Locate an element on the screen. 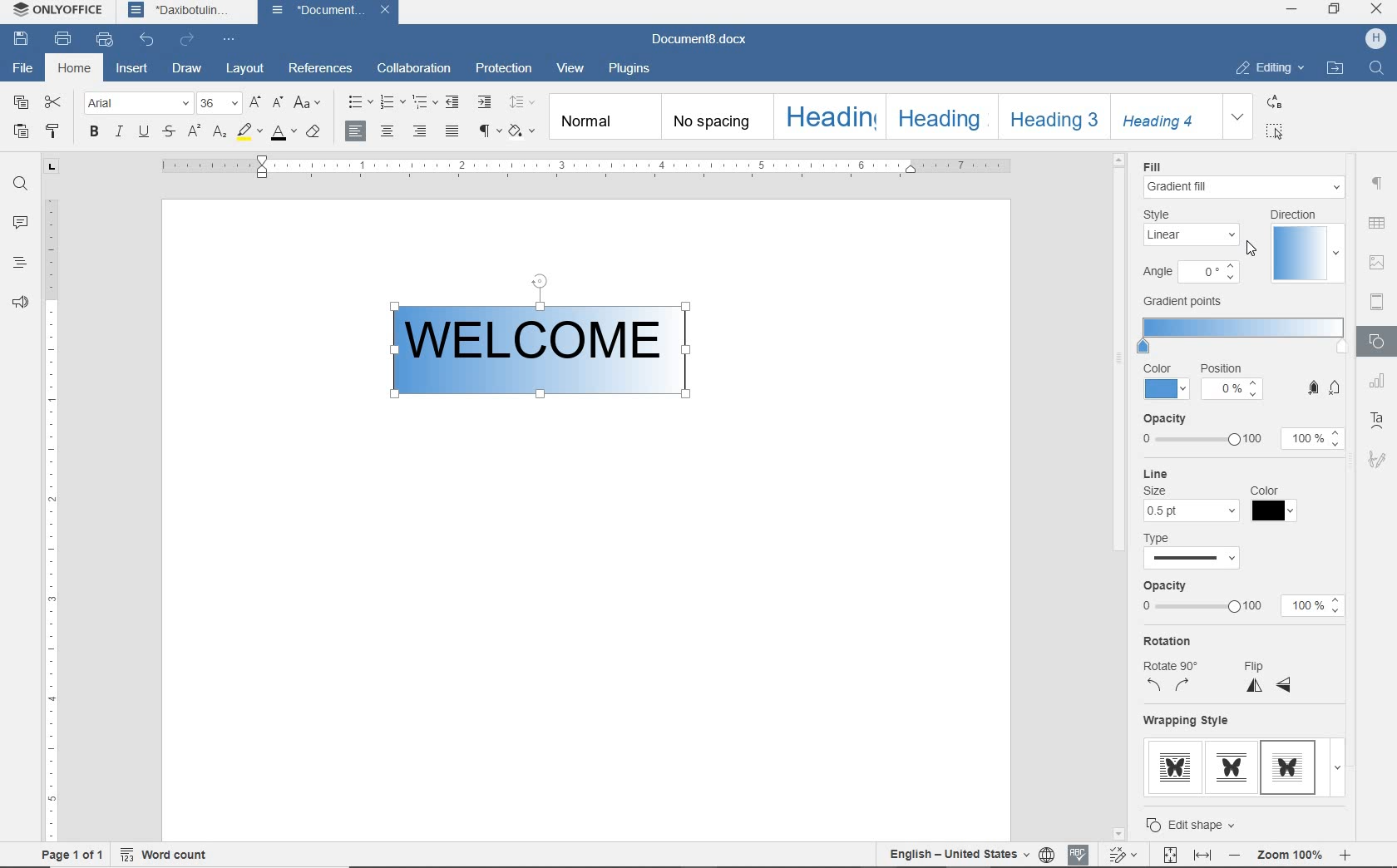 The image size is (1397, 868). FONT SIZE is located at coordinates (218, 103).